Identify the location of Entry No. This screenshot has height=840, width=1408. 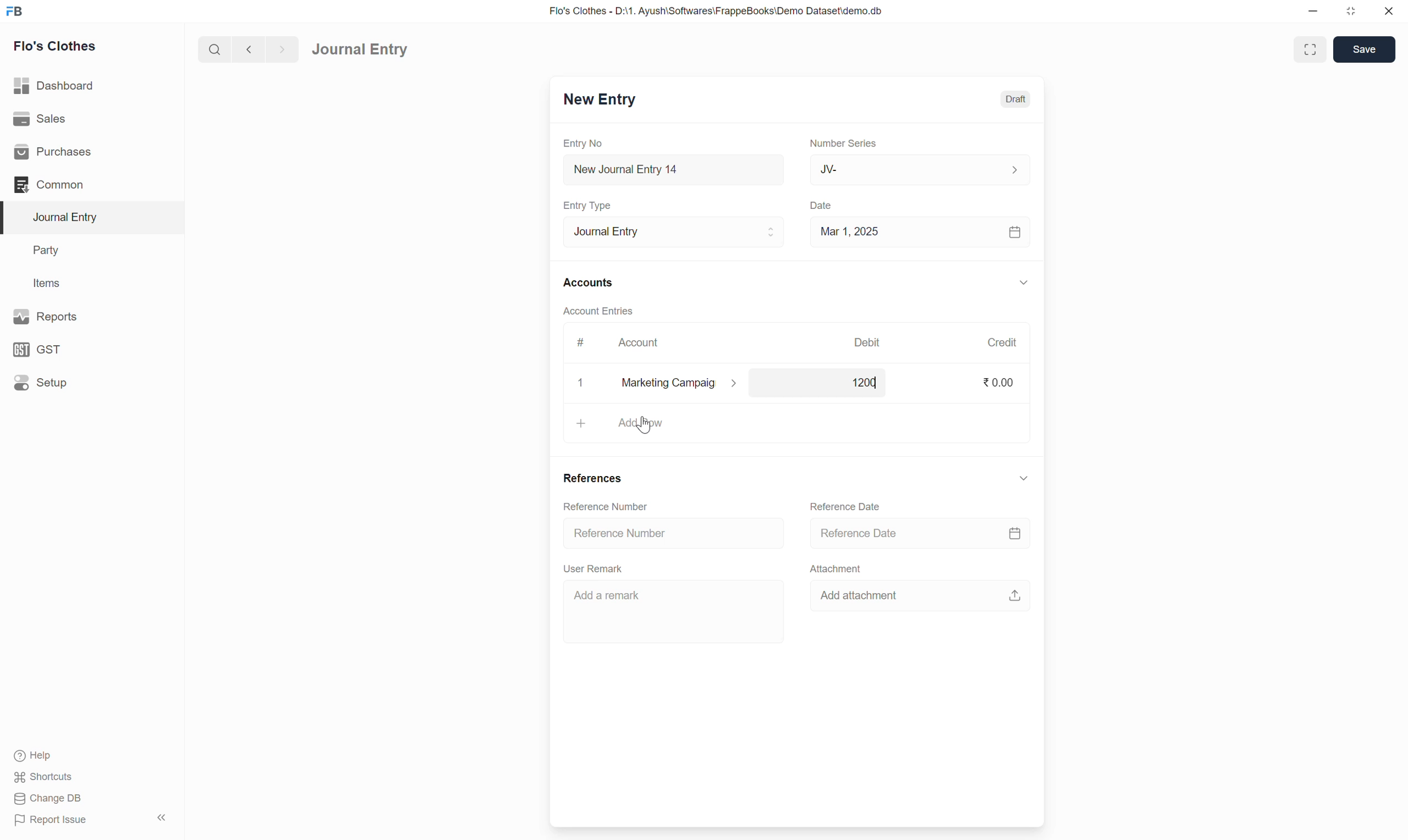
(585, 143).